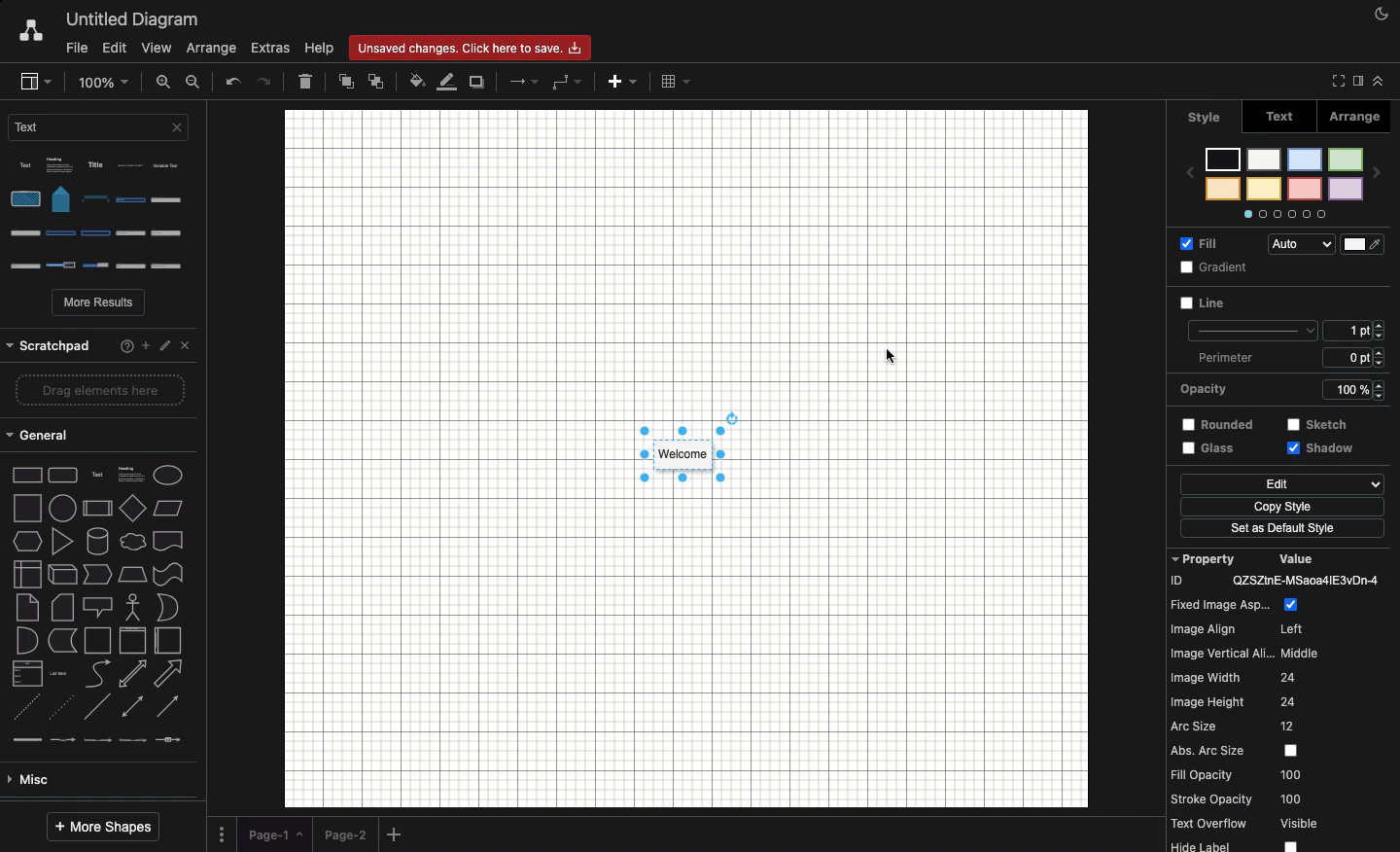 Image resolution: width=1400 pixels, height=852 pixels. Describe the element at coordinates (525, 81) in the screenshot. I see `Arrow` at that location.